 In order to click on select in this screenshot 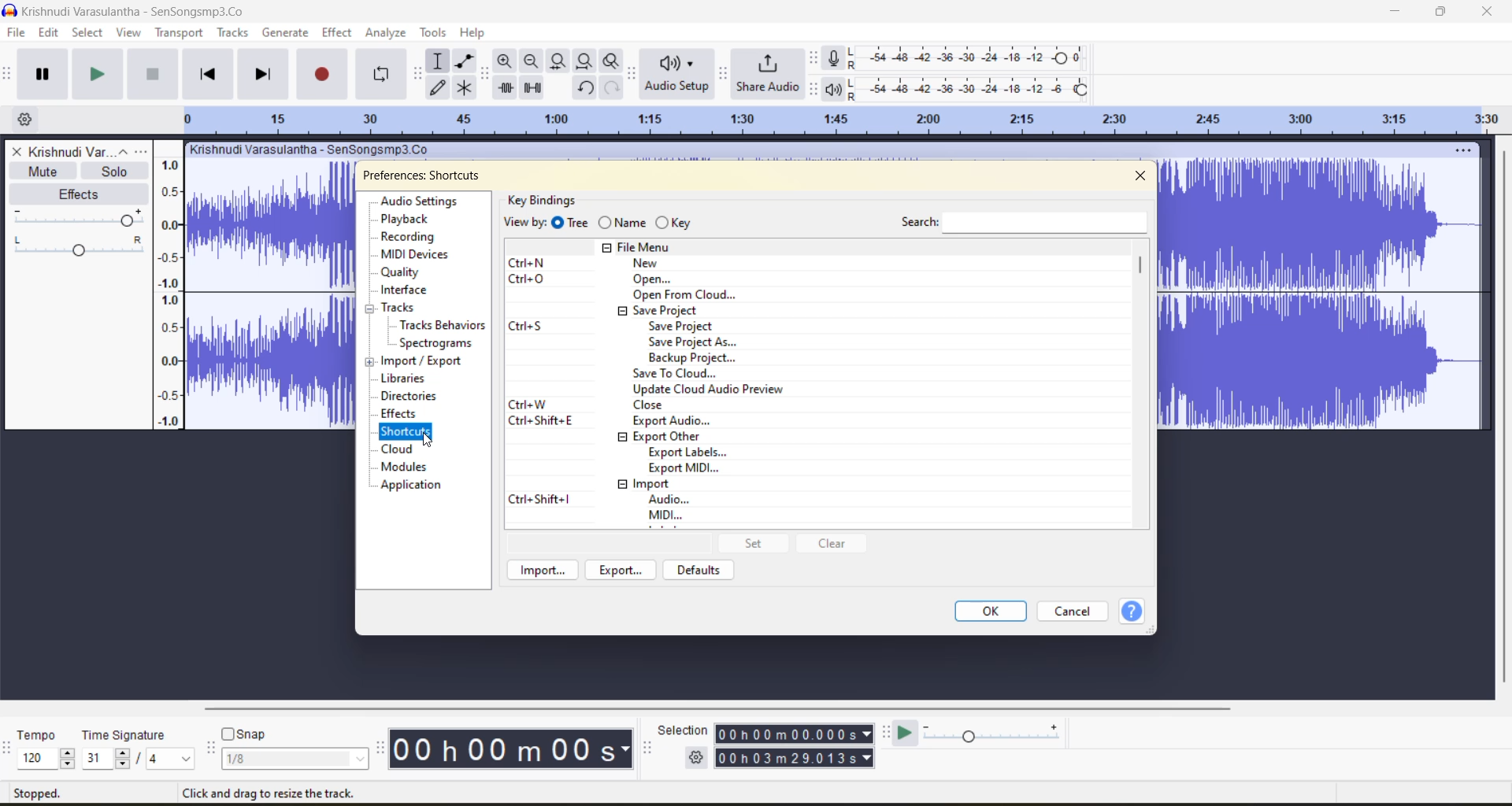, I will do `click(87, 35)`.